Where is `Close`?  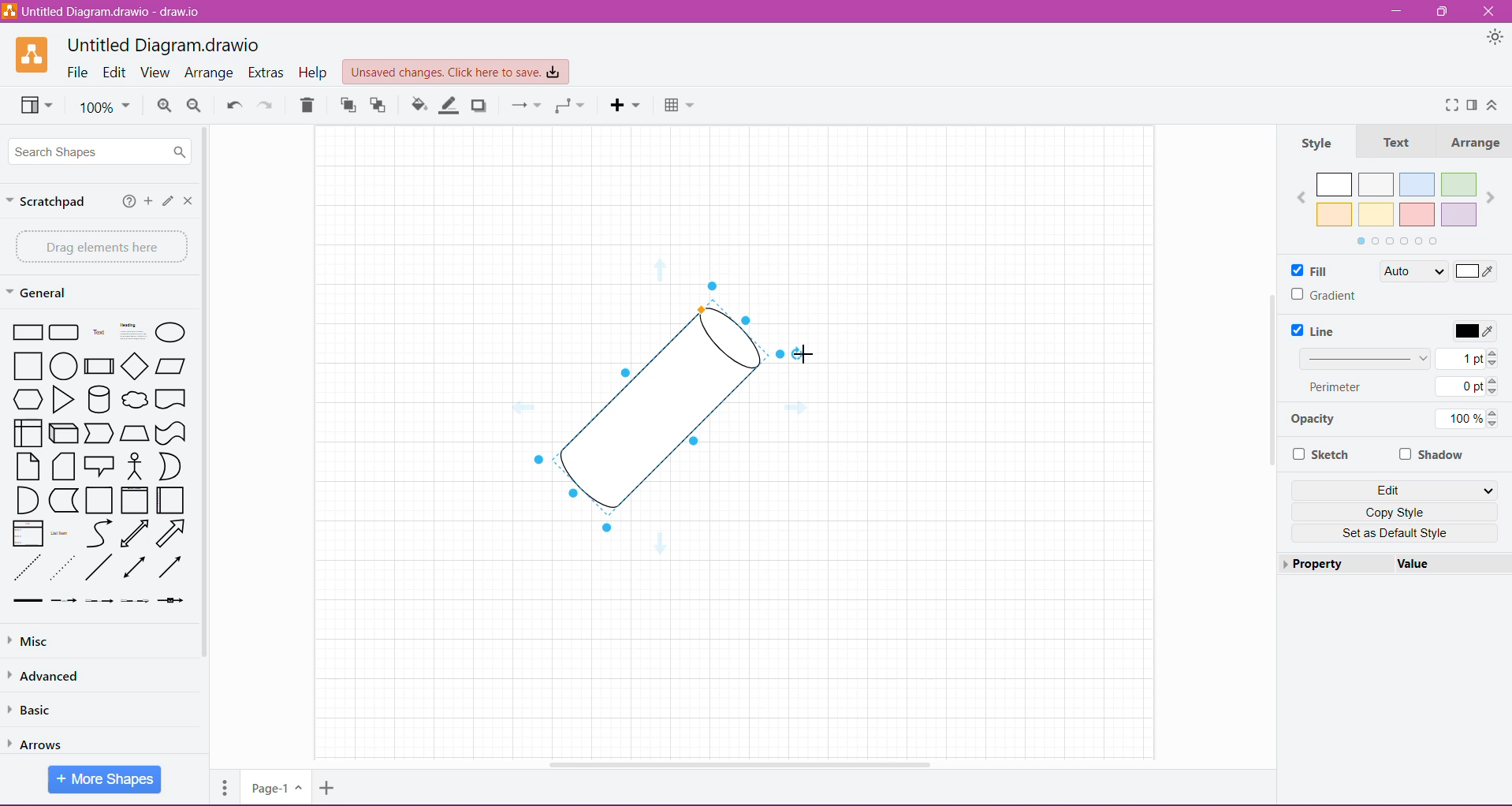
Close is located at coordinates (1492, 12).